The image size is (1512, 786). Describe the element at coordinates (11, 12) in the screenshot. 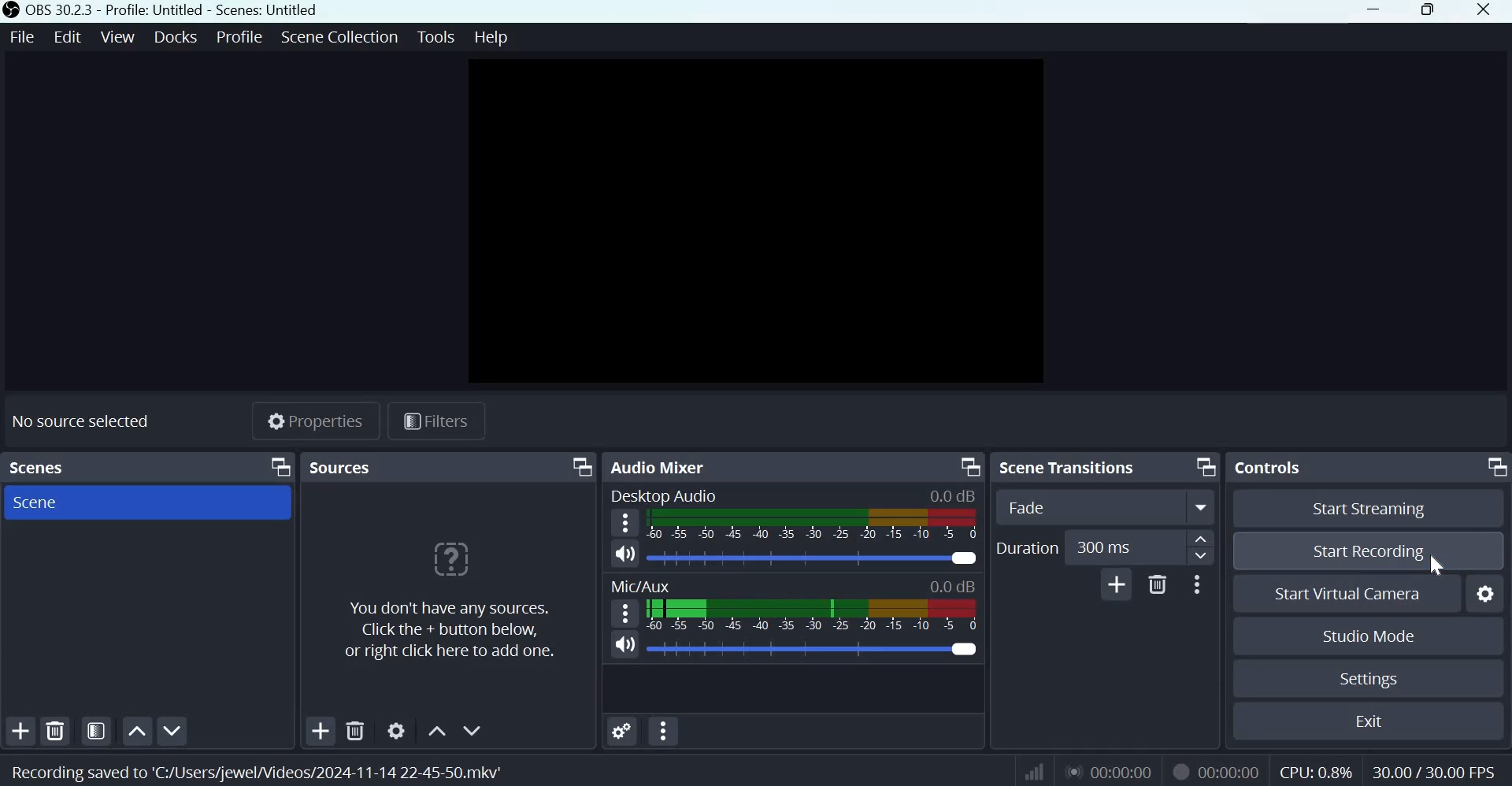

I see `OBS Studio Logo` at that location.